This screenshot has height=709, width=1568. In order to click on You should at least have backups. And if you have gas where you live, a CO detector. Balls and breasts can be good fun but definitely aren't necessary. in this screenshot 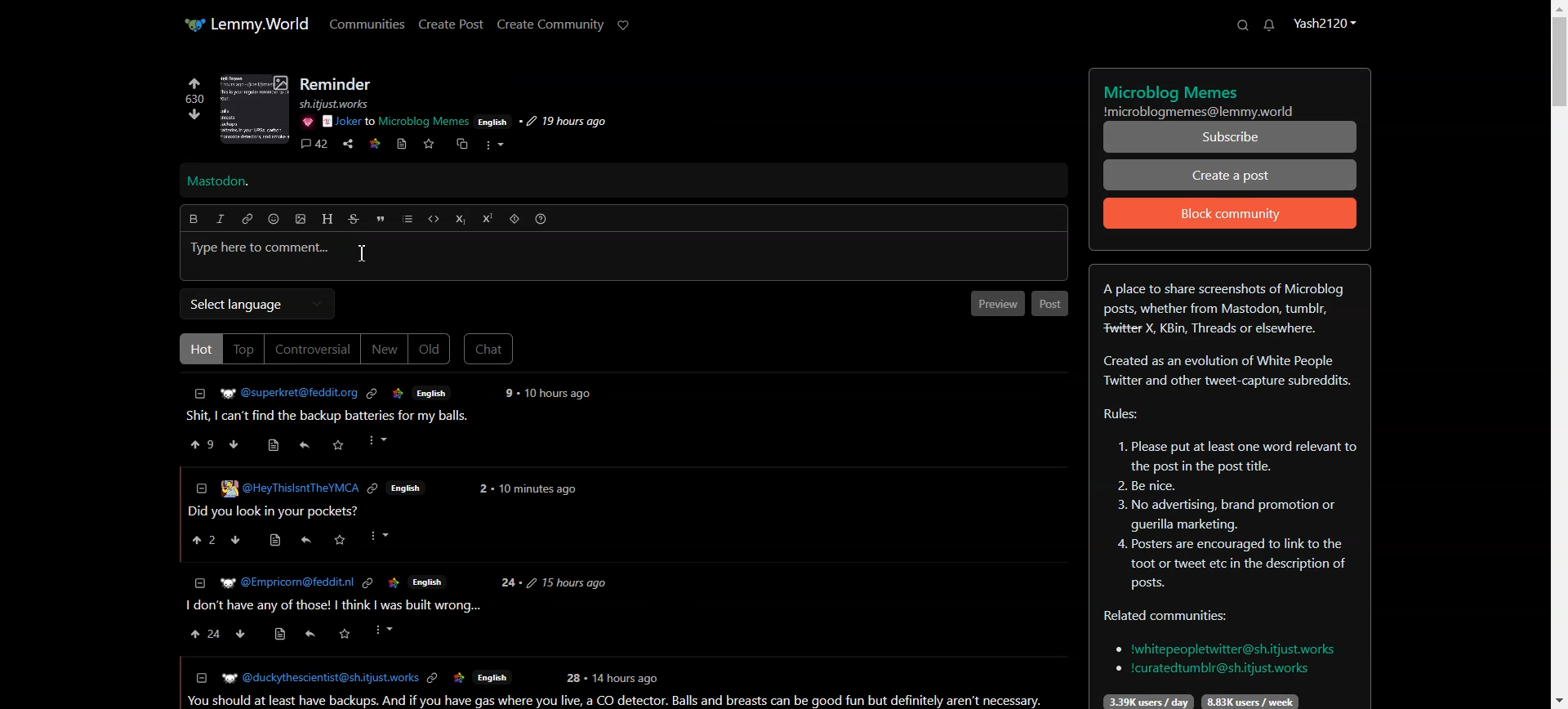, I will do `click(619, 701)`.